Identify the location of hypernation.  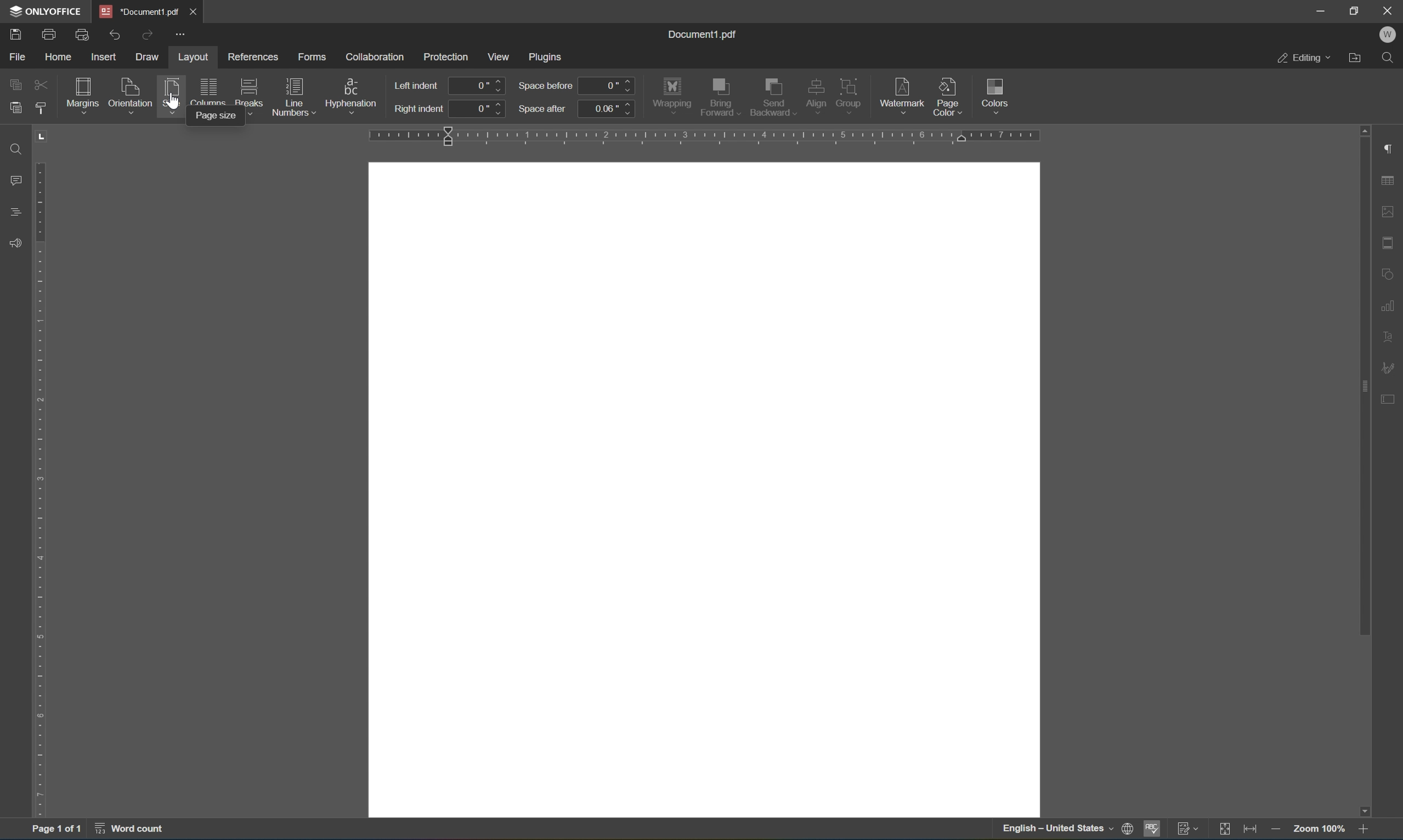
(353, 93).